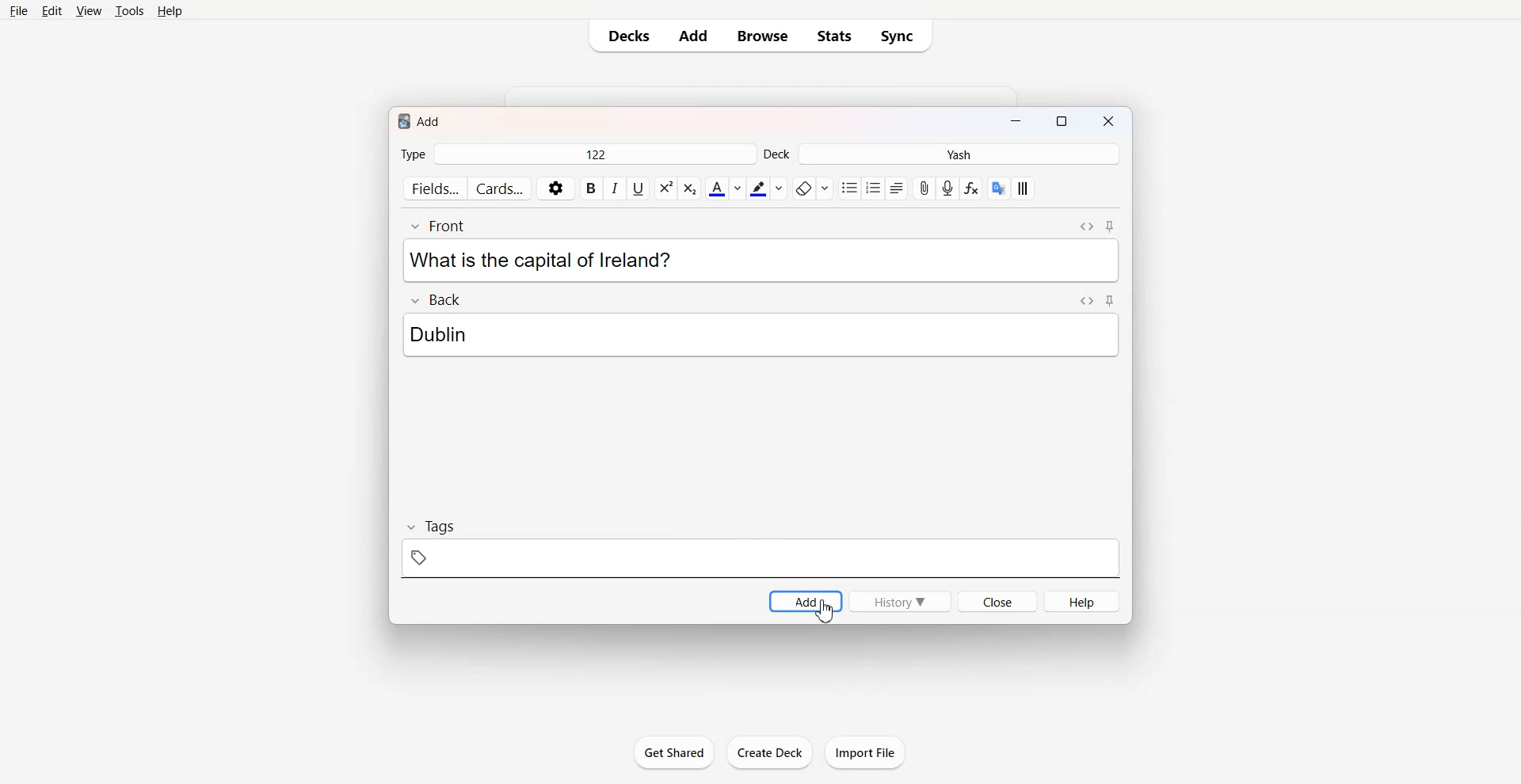 The height and width of the screenshot is (784, 1521). What do you see at coordinates (1088, 300) in the screenshot?
I see `Toggle HTML Editor` at bounding box center [1088, 300].